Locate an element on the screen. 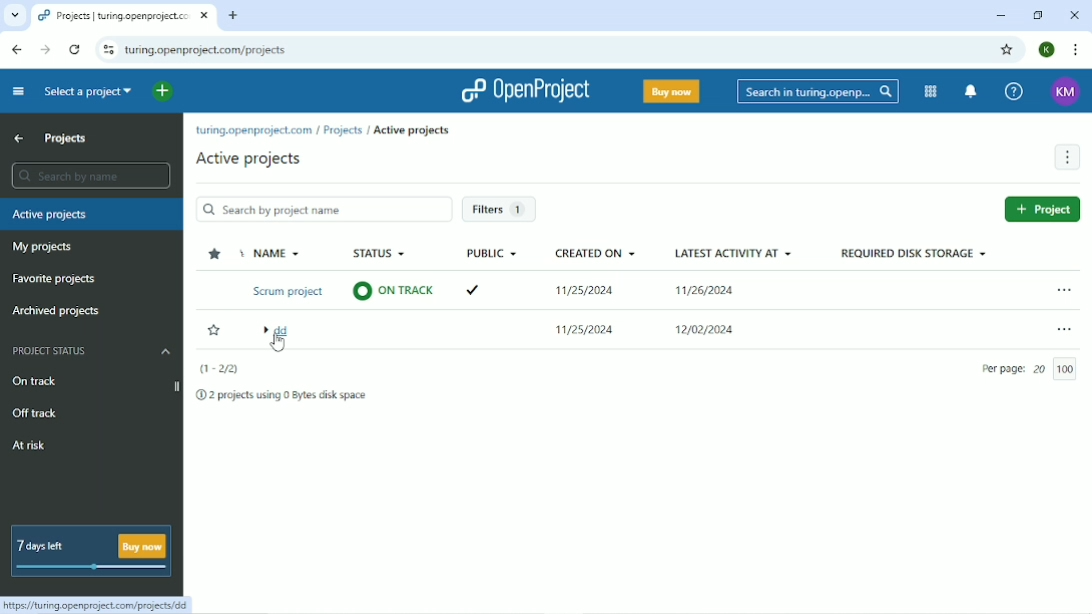 The image size is (1092, 614). To notification center is located at coordinates (973, 92).